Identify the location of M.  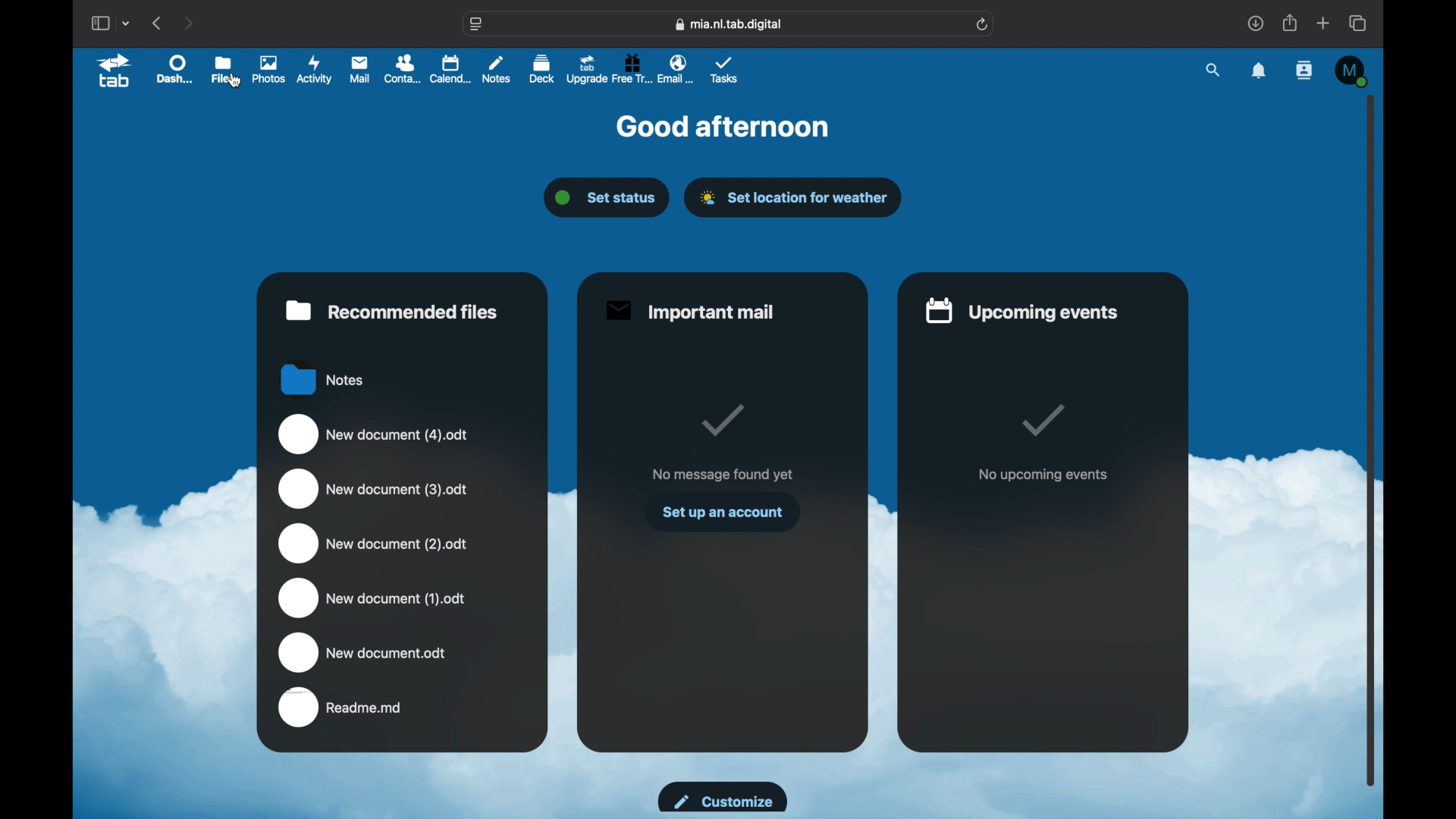
(1352, 71).